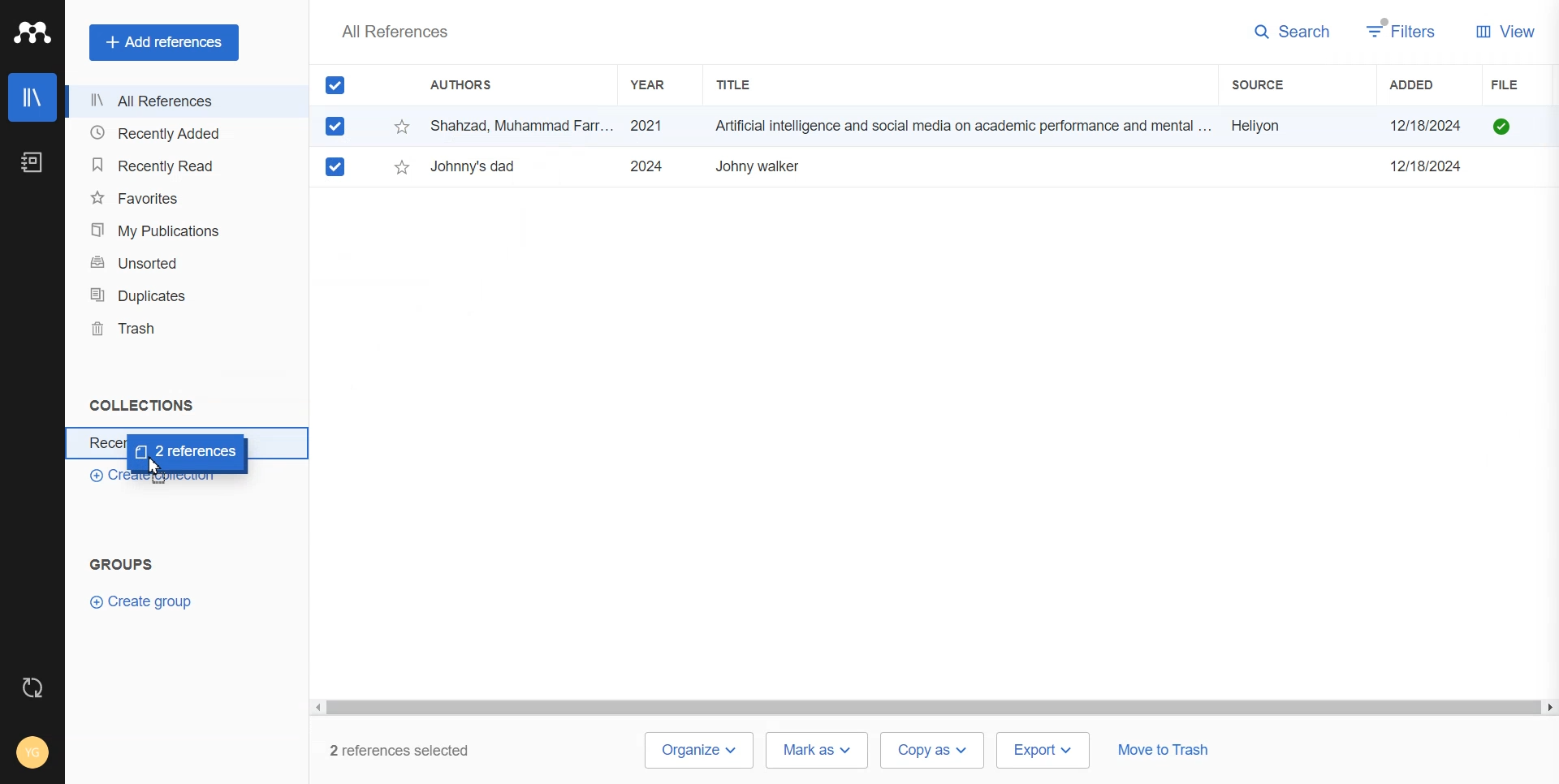 The height and width of the screenshot is (784, 1559). What do you see at coordinates (1402, 31) in the screenshot?
I see `Filters` at bounding box center [1402, 31].